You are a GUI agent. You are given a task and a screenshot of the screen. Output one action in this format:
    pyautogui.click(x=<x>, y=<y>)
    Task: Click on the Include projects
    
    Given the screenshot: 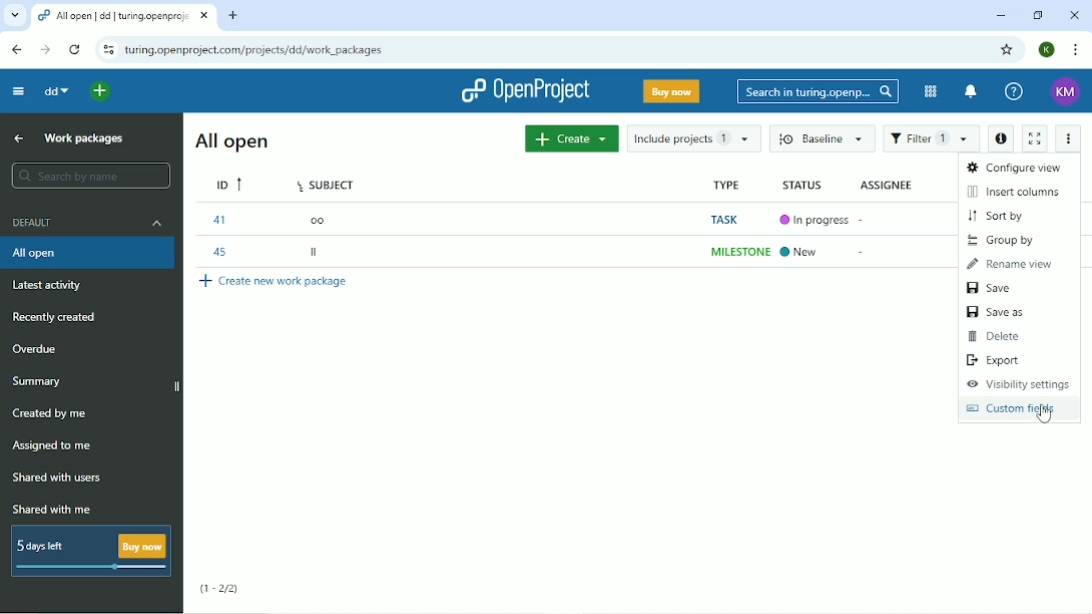 What is the action you would take?
    pyautogui.click(x=695, y=138)
    